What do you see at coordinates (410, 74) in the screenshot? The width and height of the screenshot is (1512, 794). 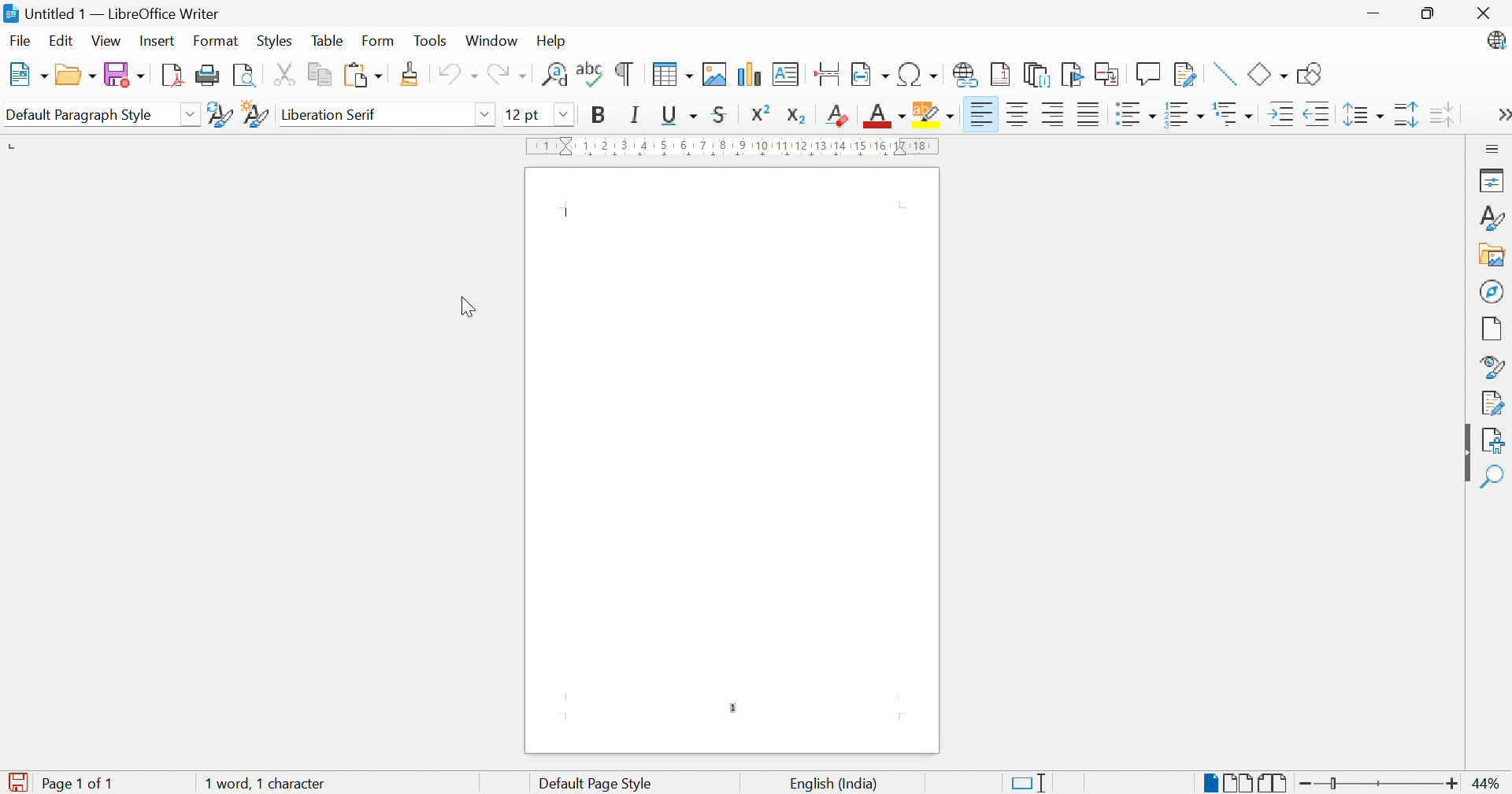 I see `Clone formatting` at bounding box center [410, 74].